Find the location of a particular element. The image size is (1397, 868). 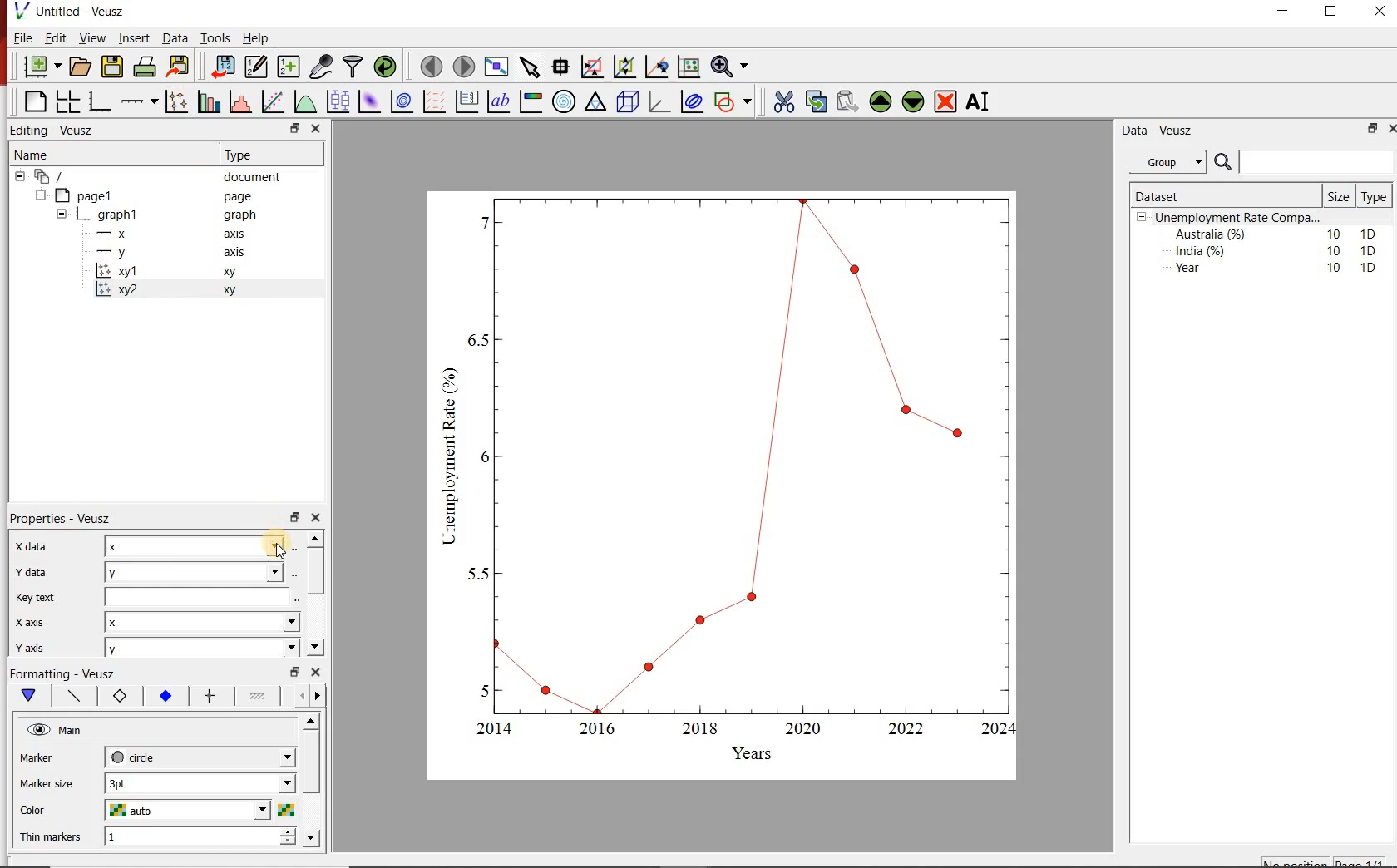

1 is located at coordinates (186, 837).